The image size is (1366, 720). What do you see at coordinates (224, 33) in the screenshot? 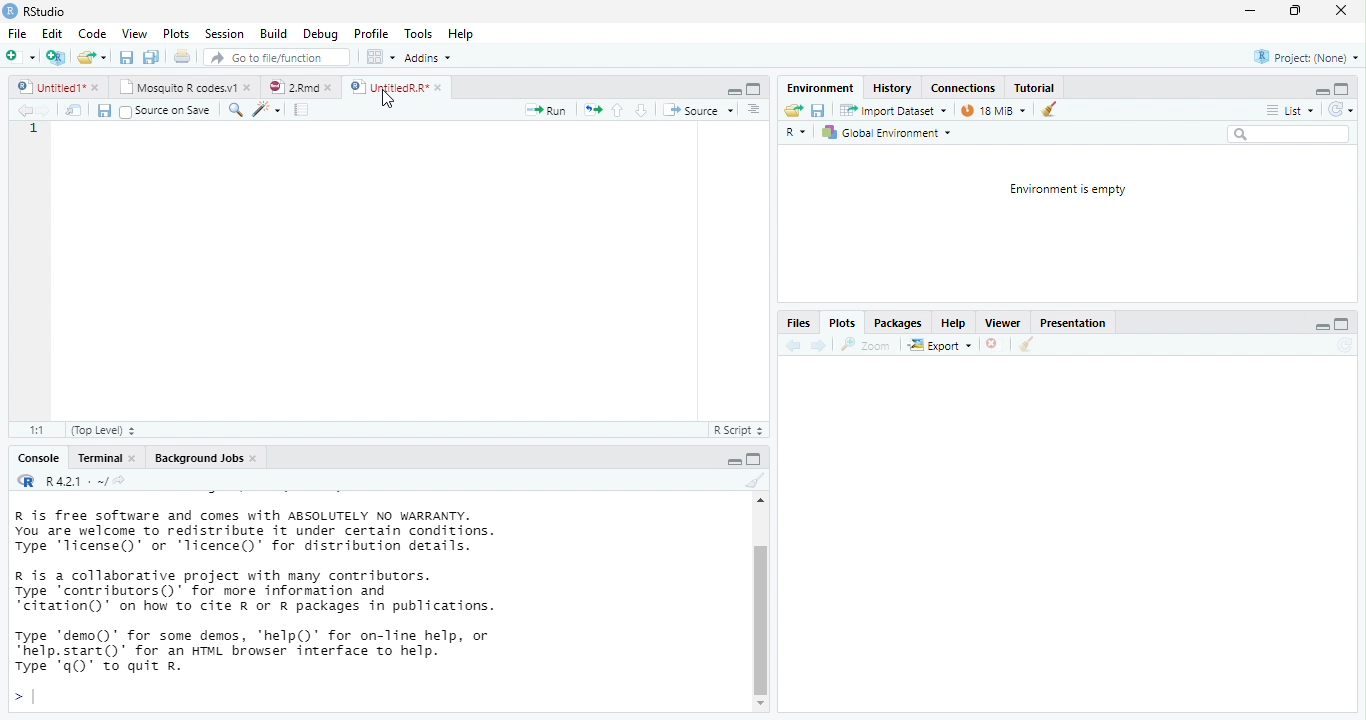
I see `Session` at bounding box center [224, 33].